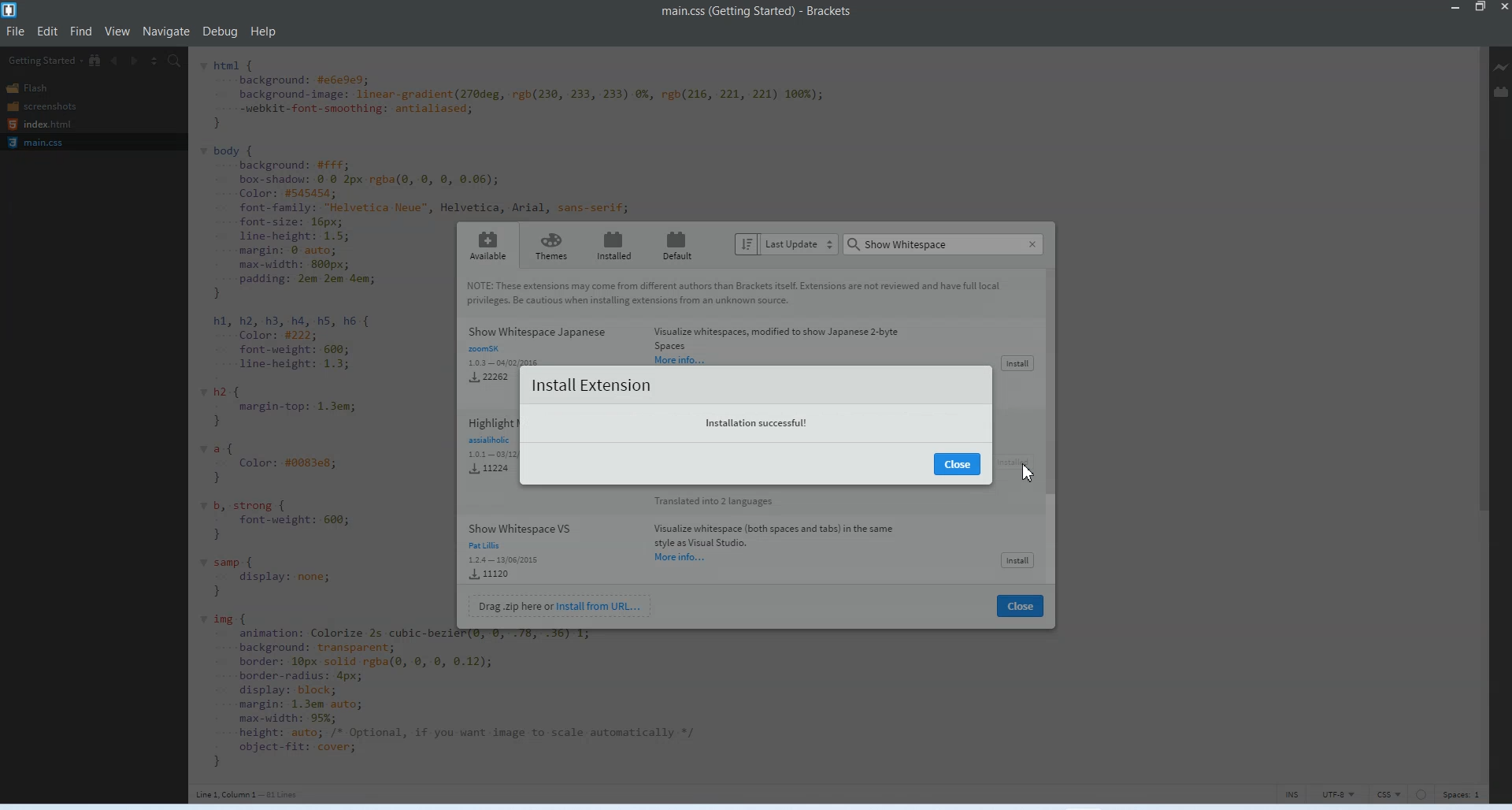 This screenshot has height=810, width=1512. Describe the element at coordinates (1502, 85) in the screenshot. I see `Extension Manager` at that location.